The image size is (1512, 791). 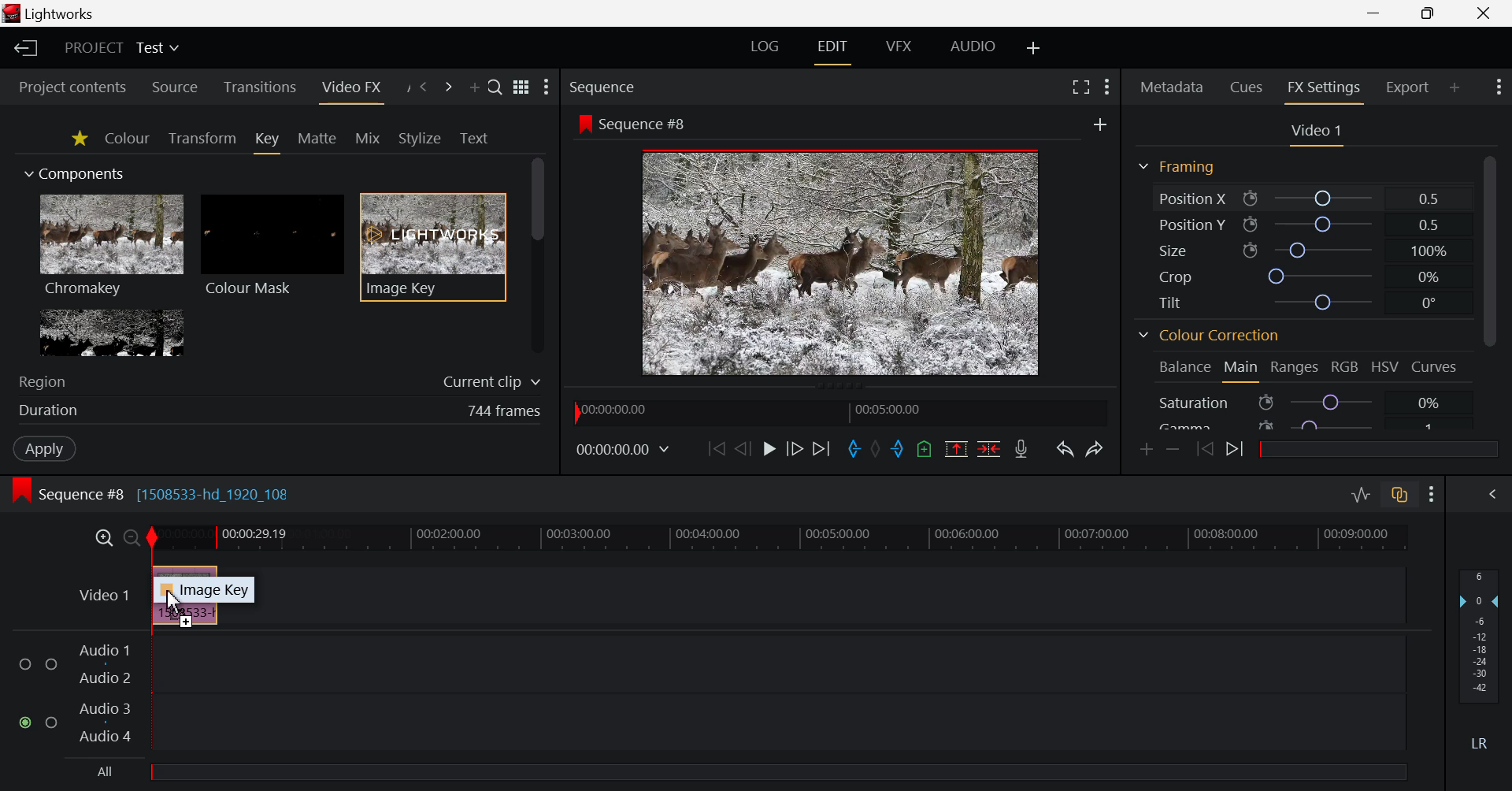 What do you see at coordinates (1455, 87) in the screenshot?
I see `Add Panel` at bounding box center [1455, 87].